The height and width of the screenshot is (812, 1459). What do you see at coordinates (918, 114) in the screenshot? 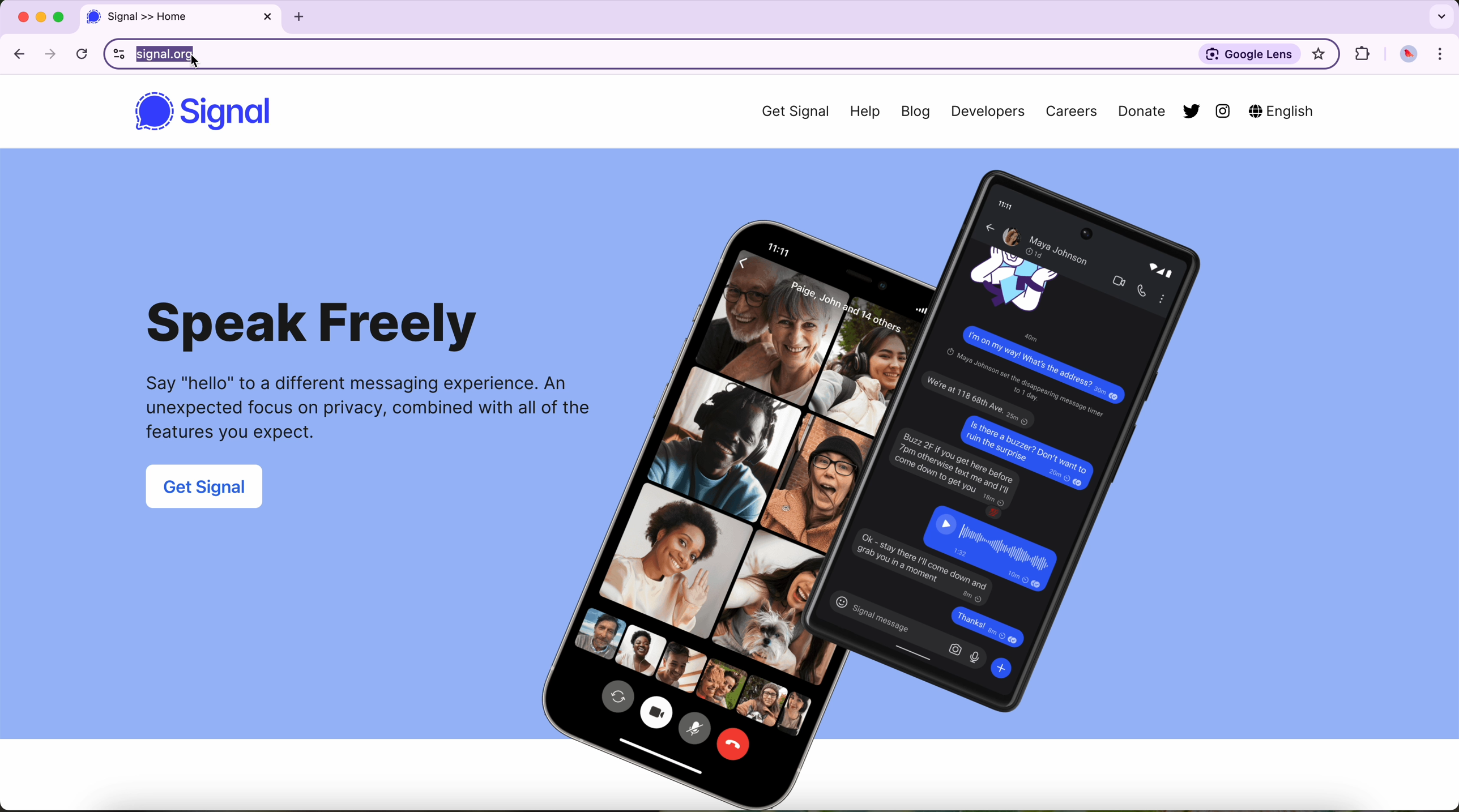
I see `Blog` at bounding box center [918, 114].